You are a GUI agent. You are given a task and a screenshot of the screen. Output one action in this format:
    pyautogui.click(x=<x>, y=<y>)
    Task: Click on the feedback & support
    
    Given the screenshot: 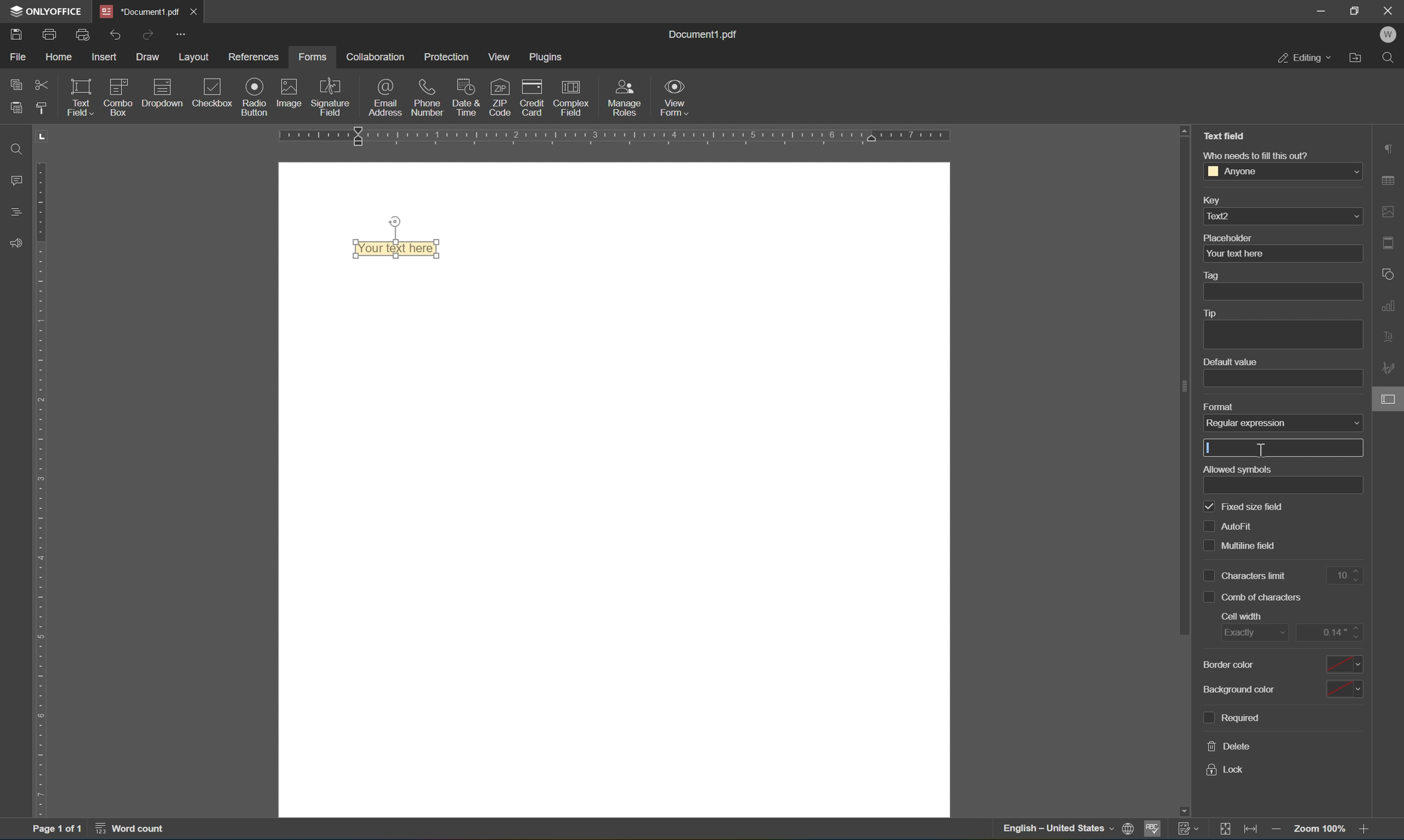 What is the action you would take?
    pyautogui.click(x=15, y=240)
    